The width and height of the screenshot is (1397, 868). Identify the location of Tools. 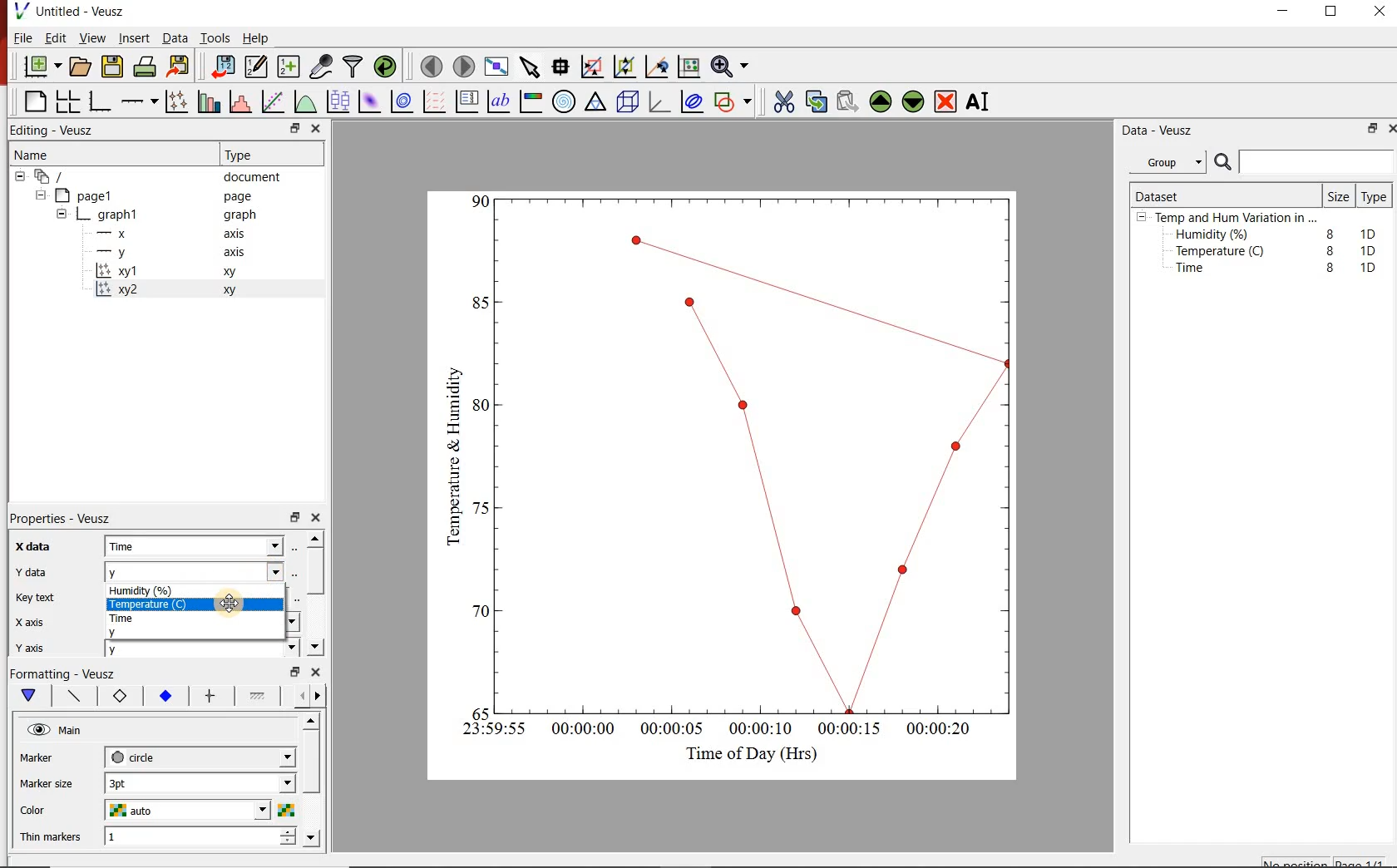
(214, 38).